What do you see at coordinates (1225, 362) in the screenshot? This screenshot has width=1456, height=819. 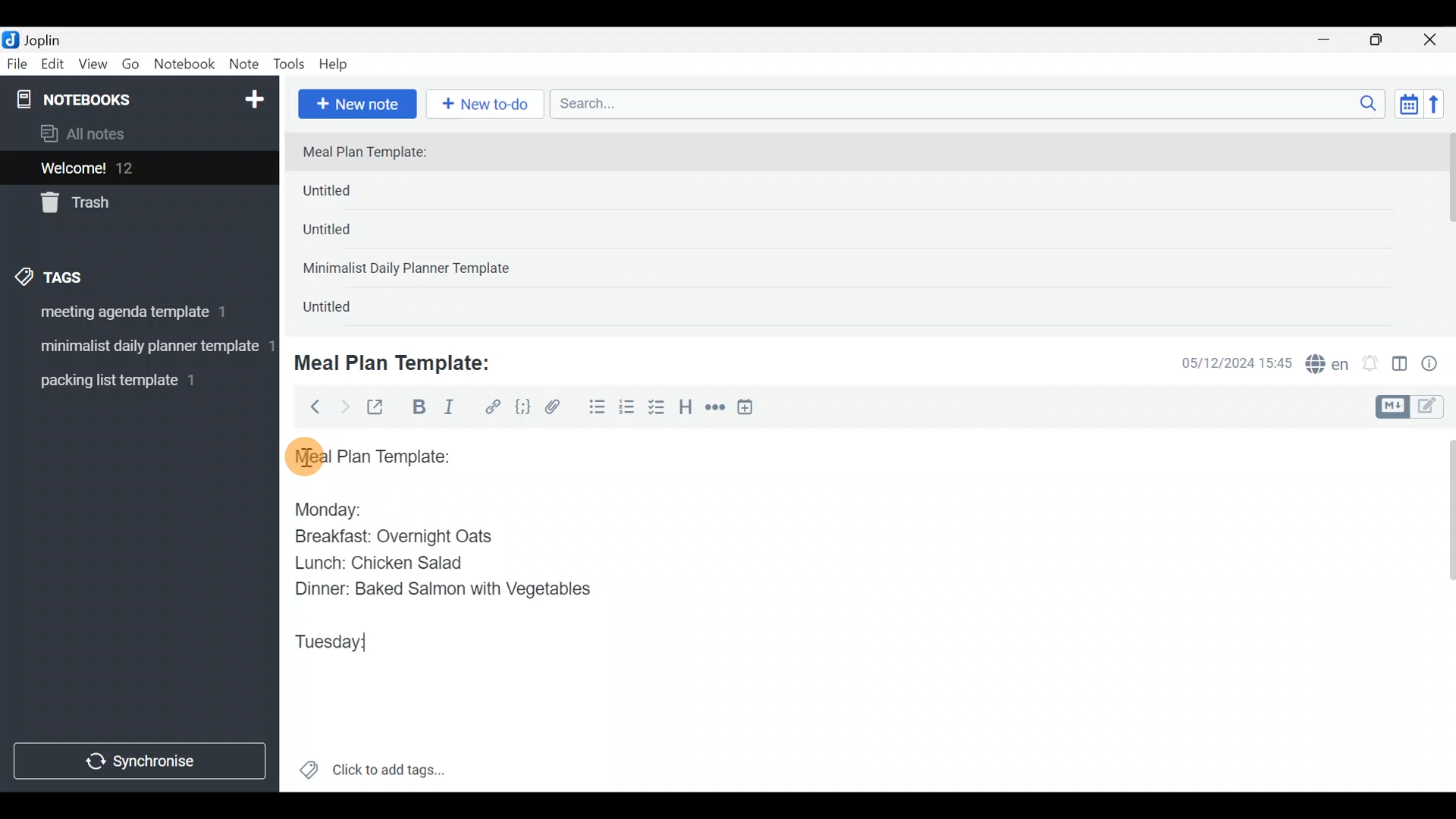 I see `Date & time` at bounding box center [1225, 362].